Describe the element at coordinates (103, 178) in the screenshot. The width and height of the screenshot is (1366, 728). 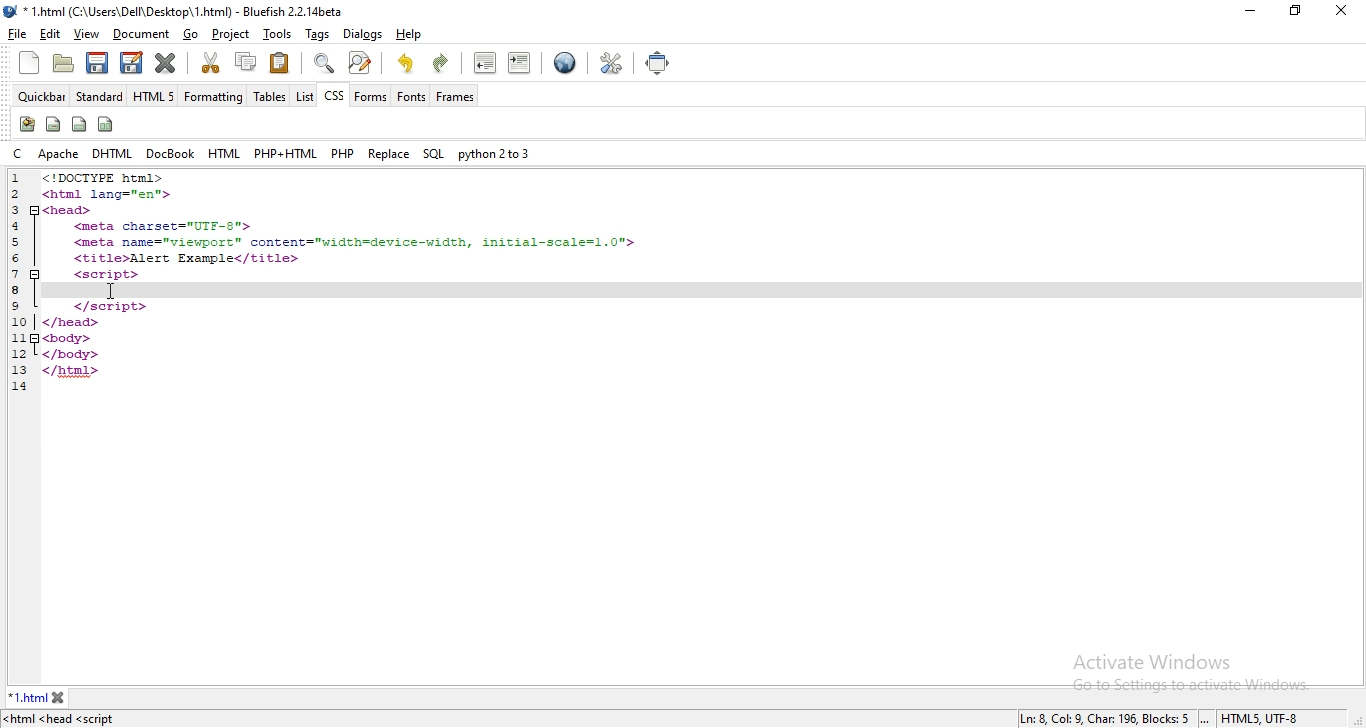
I see `<!DOCTYPE html>` at that location.